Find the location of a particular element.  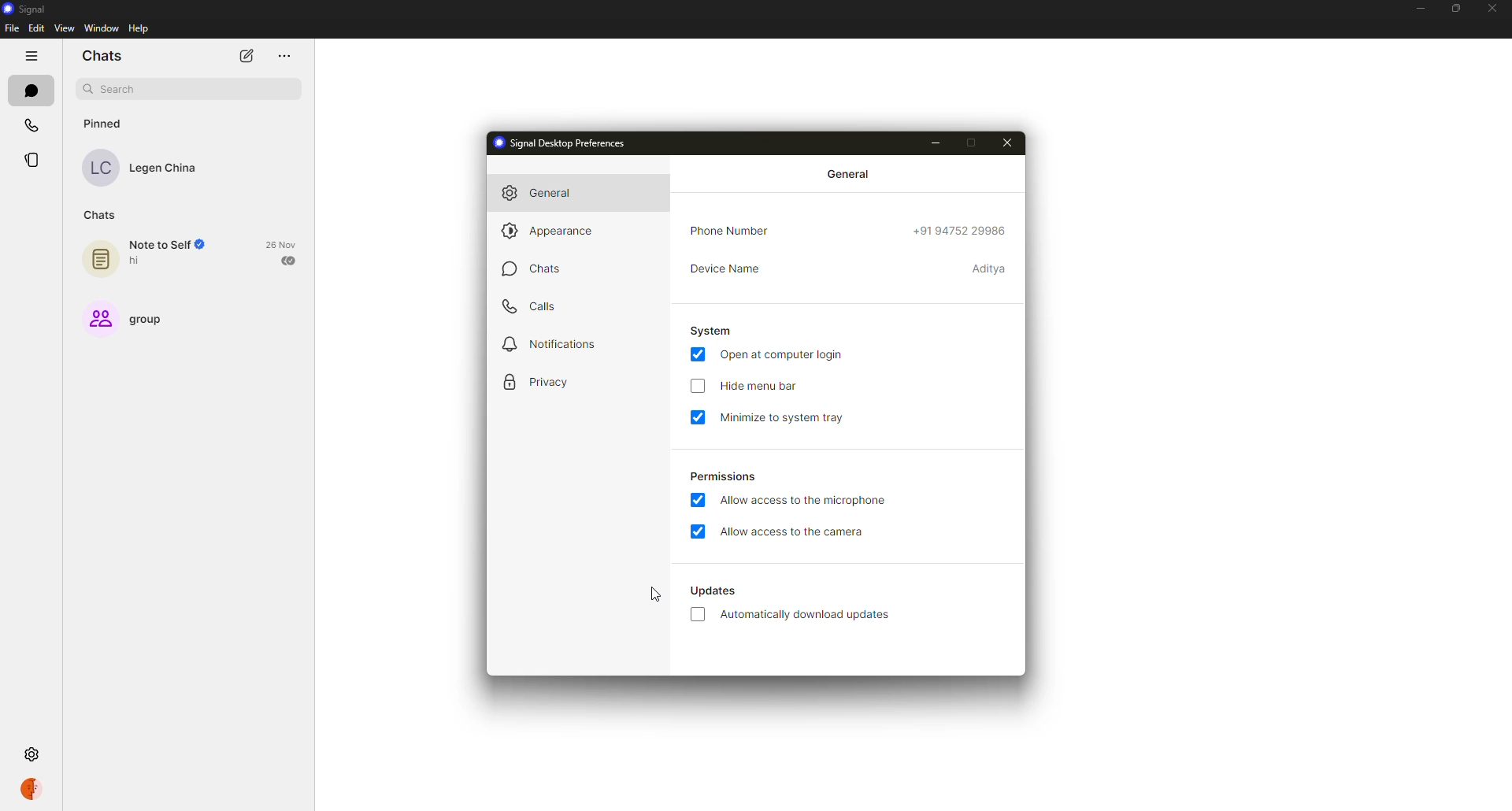

enabled is located at coordinates (698, 354).